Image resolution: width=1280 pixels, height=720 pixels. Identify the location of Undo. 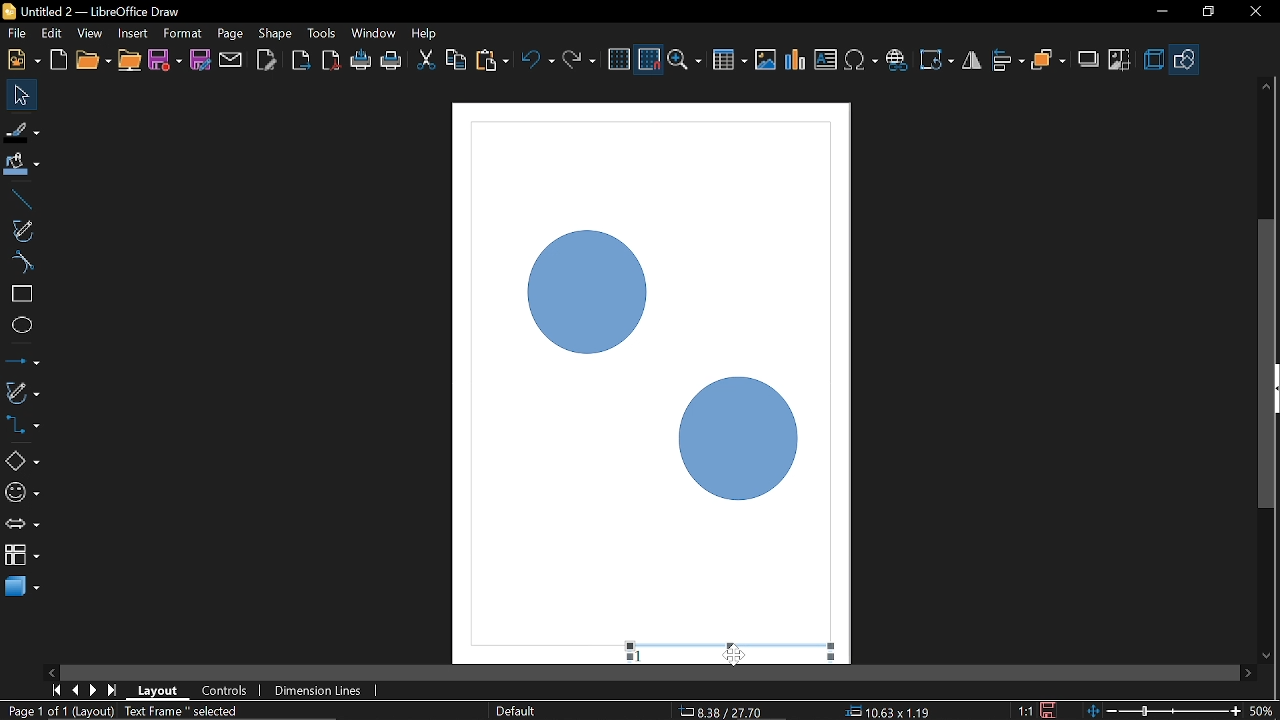
(539, 62).